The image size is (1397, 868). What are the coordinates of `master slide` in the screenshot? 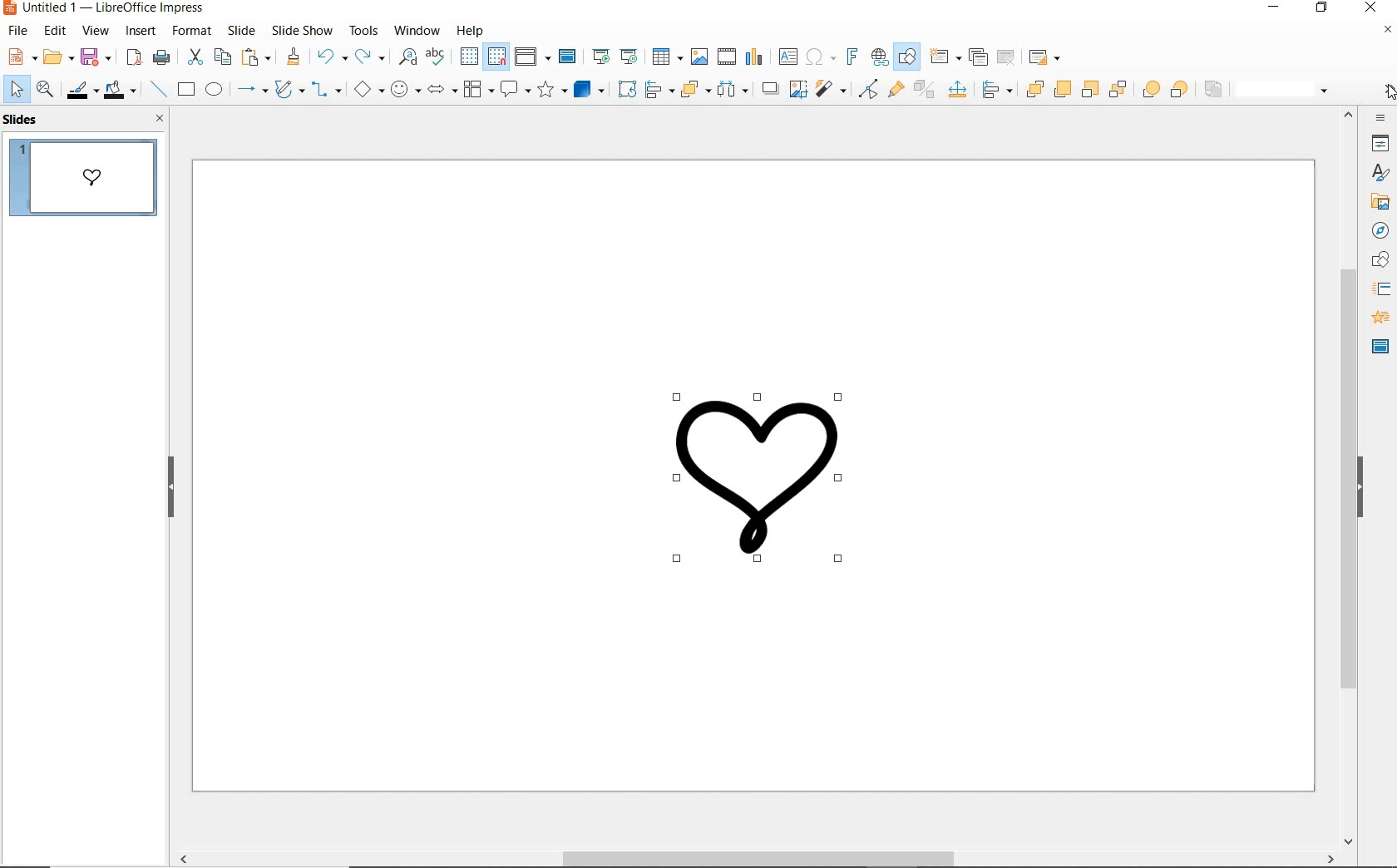 It's located at (568, 57).